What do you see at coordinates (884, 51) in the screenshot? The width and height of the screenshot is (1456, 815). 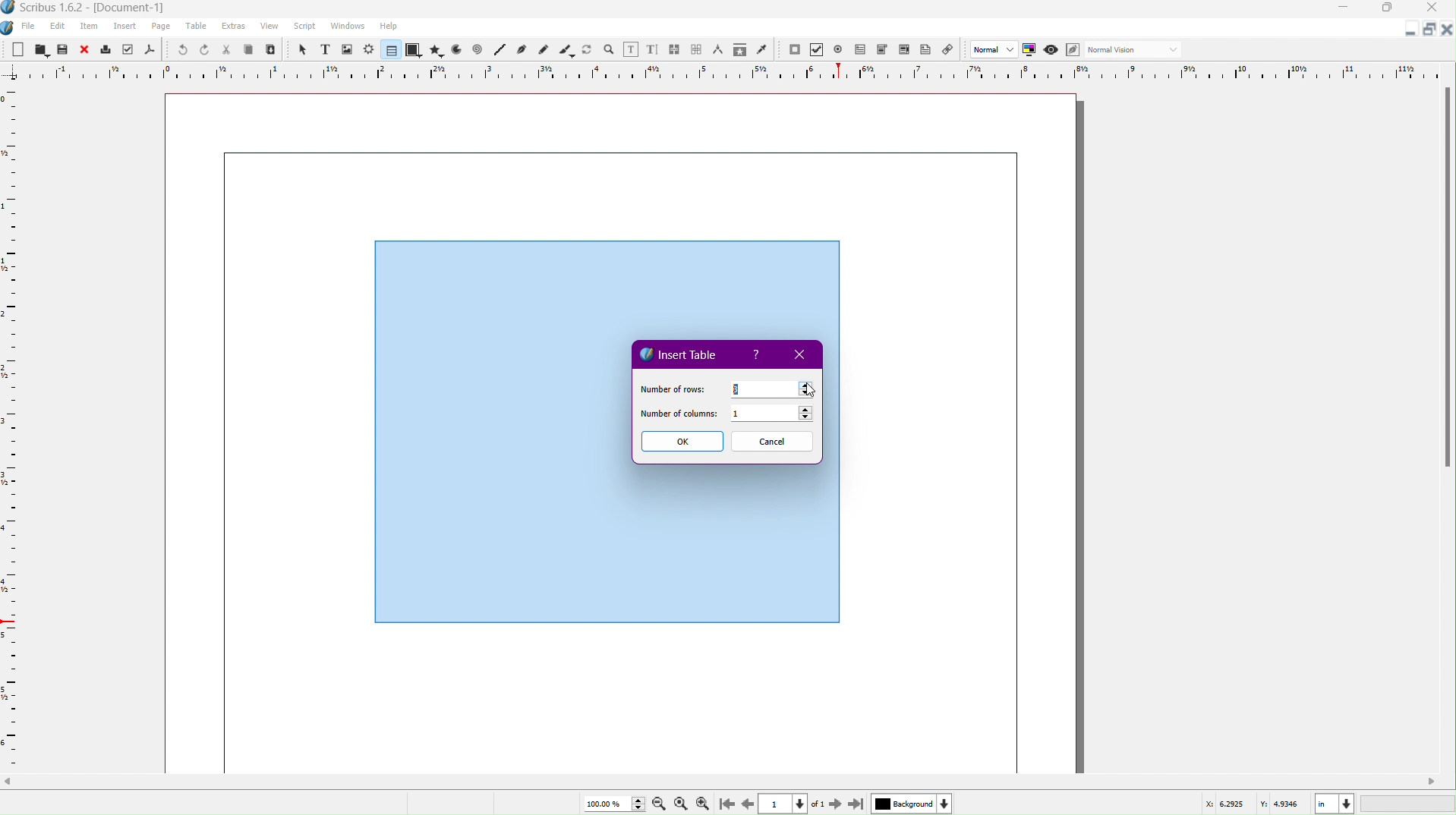 I see `PDF Combo Box` at bounding box center [884, 51].